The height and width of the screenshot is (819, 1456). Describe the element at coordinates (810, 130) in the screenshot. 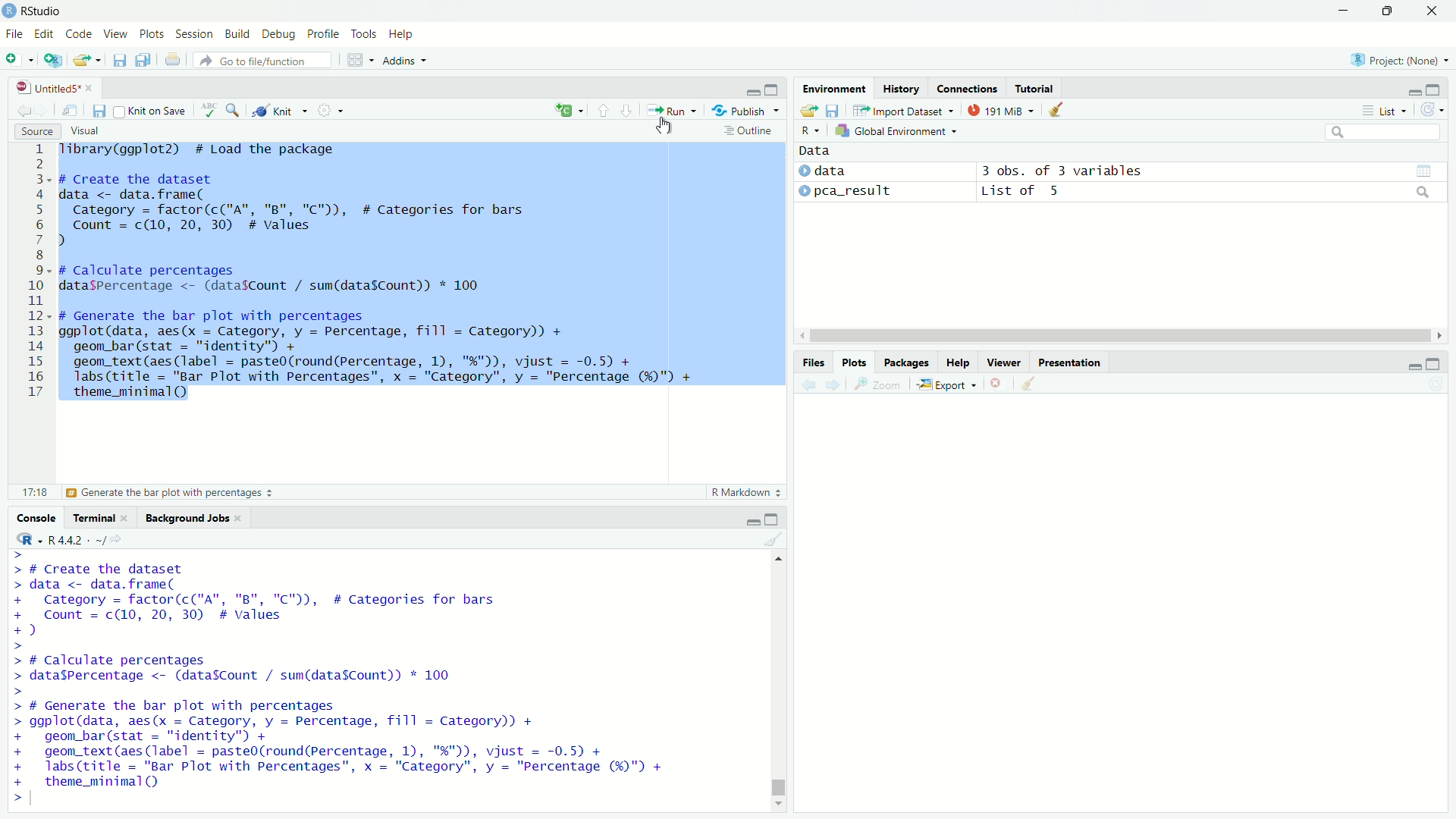

I see `R language` at that location.